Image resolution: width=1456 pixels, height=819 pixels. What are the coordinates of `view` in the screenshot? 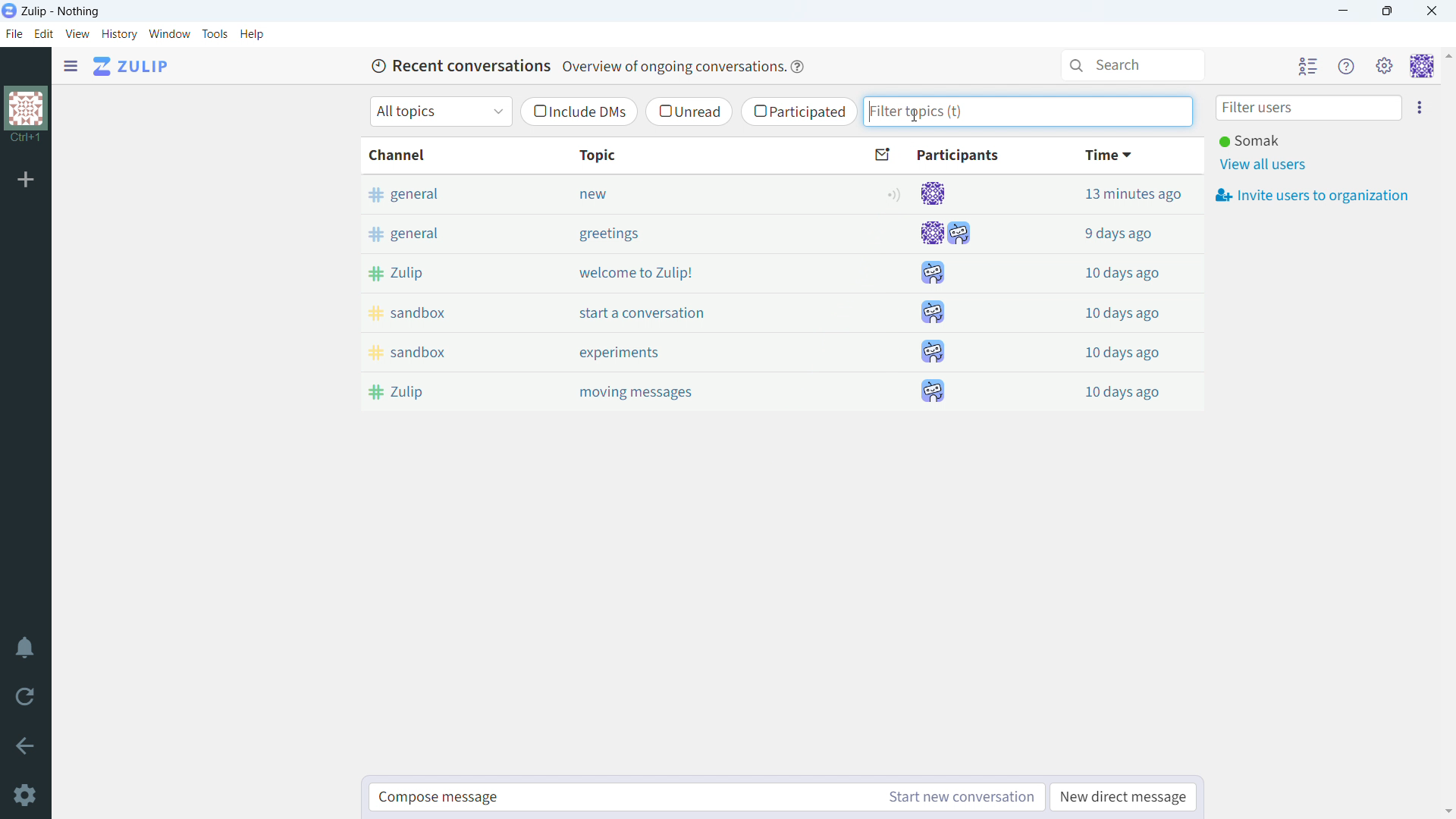 It's located at (77, 34).